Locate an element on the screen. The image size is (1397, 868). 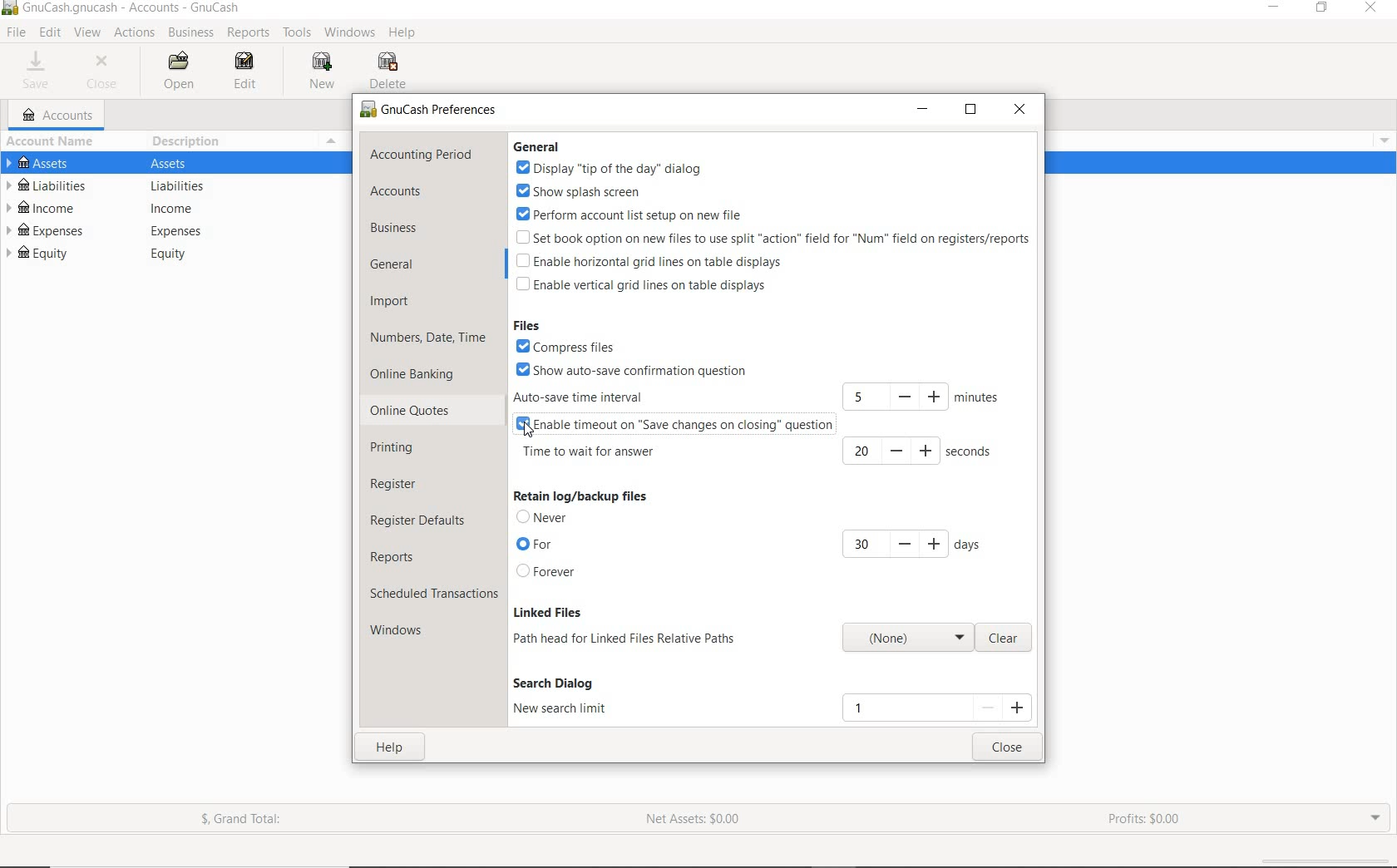
ONLINE BANKING is located at coordinates (417, 374).